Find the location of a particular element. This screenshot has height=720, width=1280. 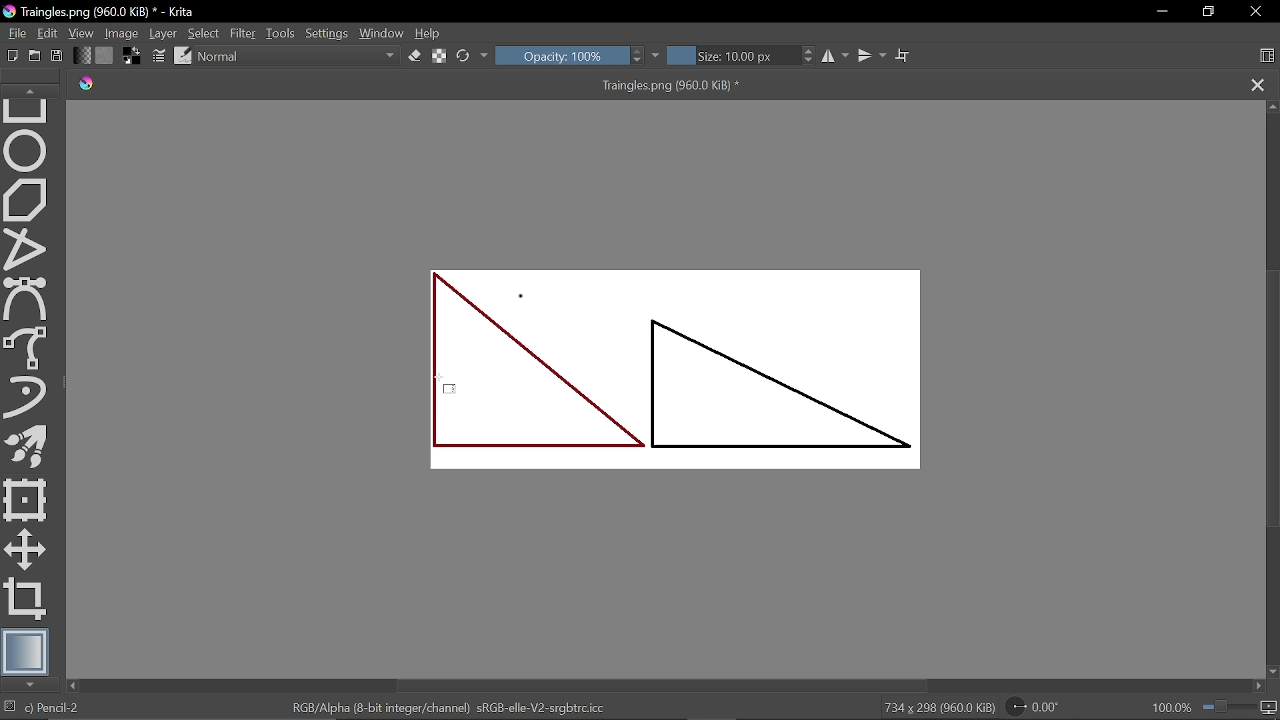

Gradient fill is located at coordinates (82, 54).